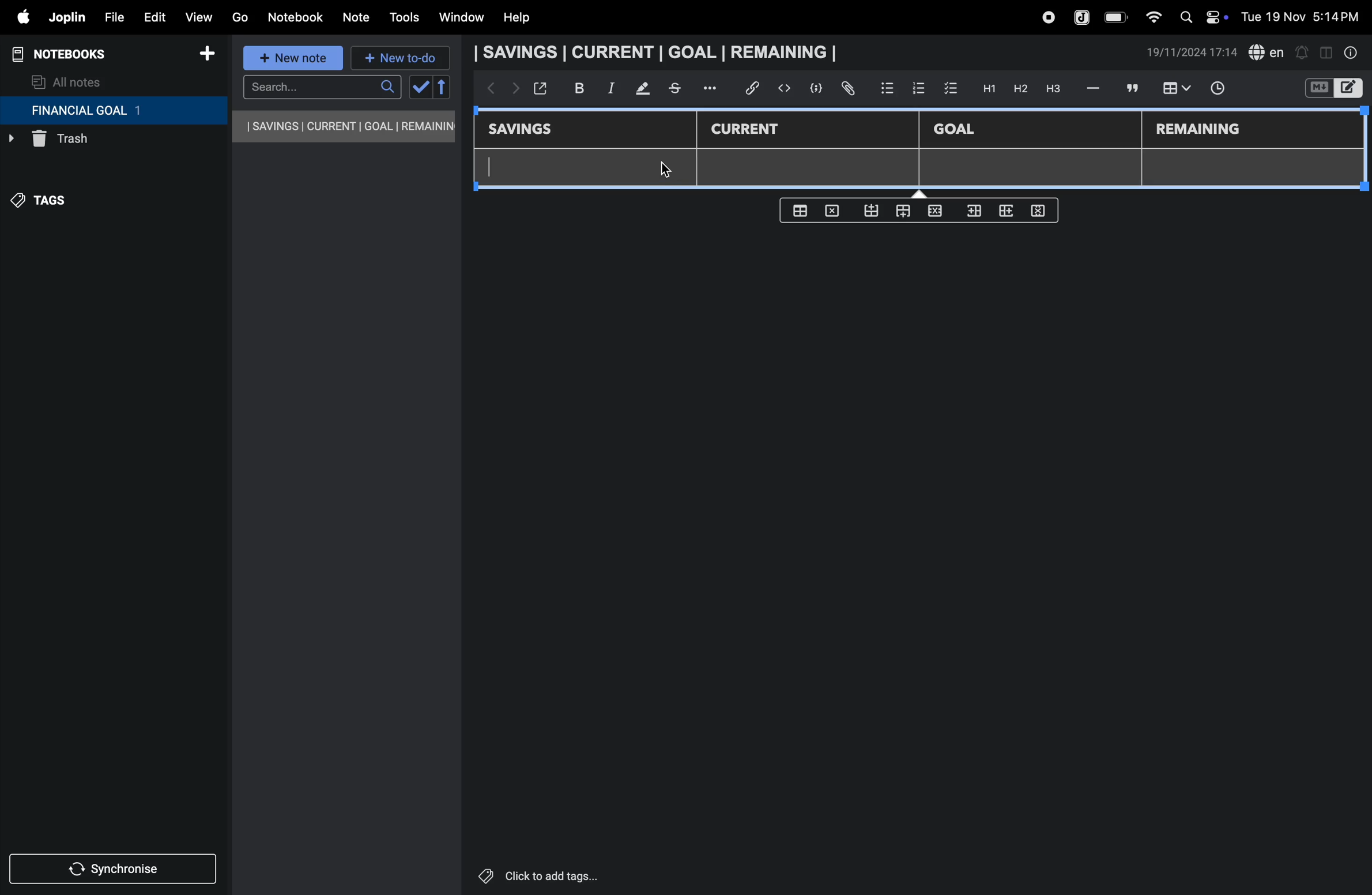  Describe the element at coordinates (69, 54) in the screenshot. I see `notebooks` at that location.